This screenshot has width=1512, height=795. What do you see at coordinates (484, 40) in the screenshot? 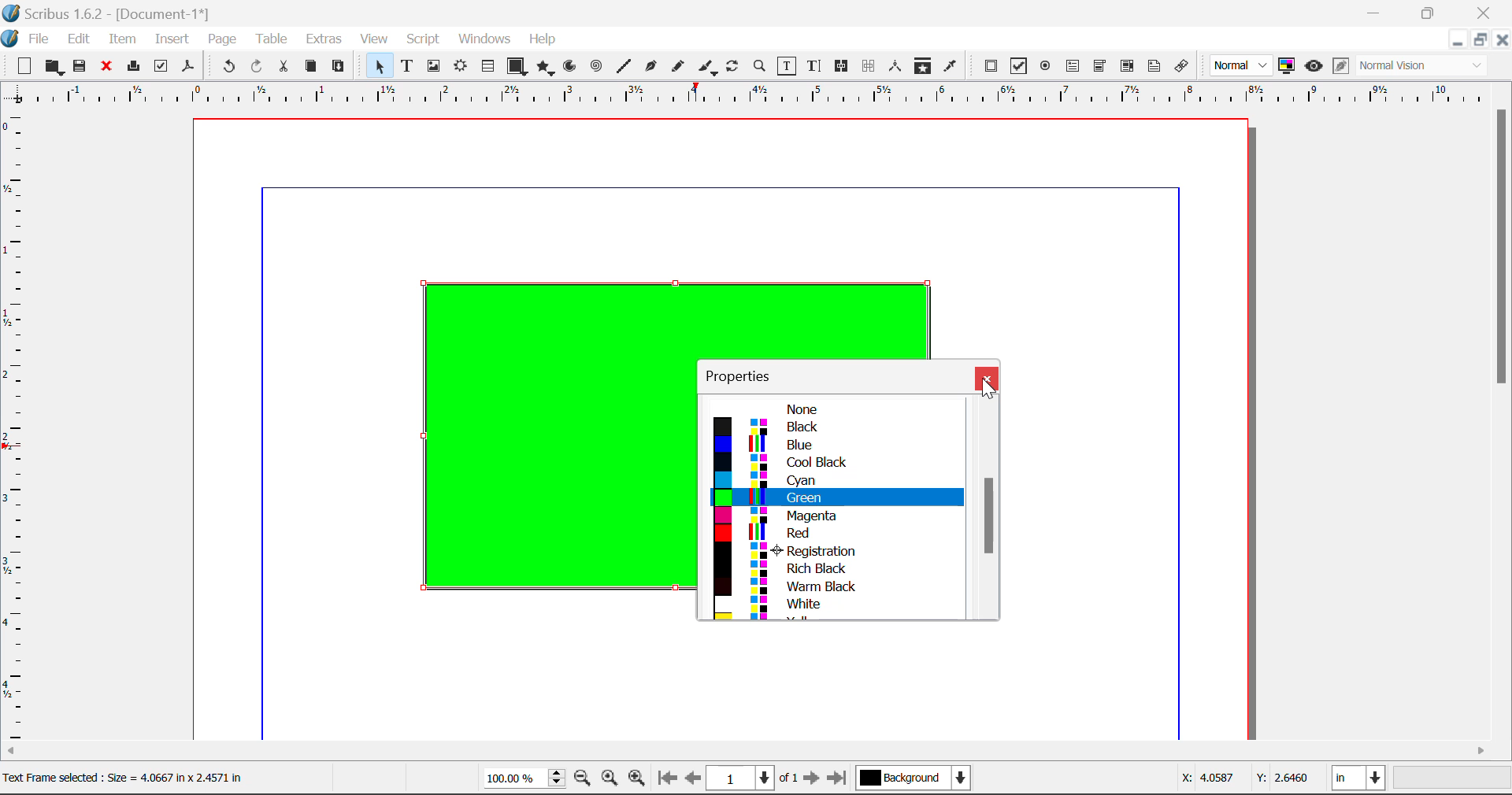
I see `Windows` at bounding box center [484, 40].